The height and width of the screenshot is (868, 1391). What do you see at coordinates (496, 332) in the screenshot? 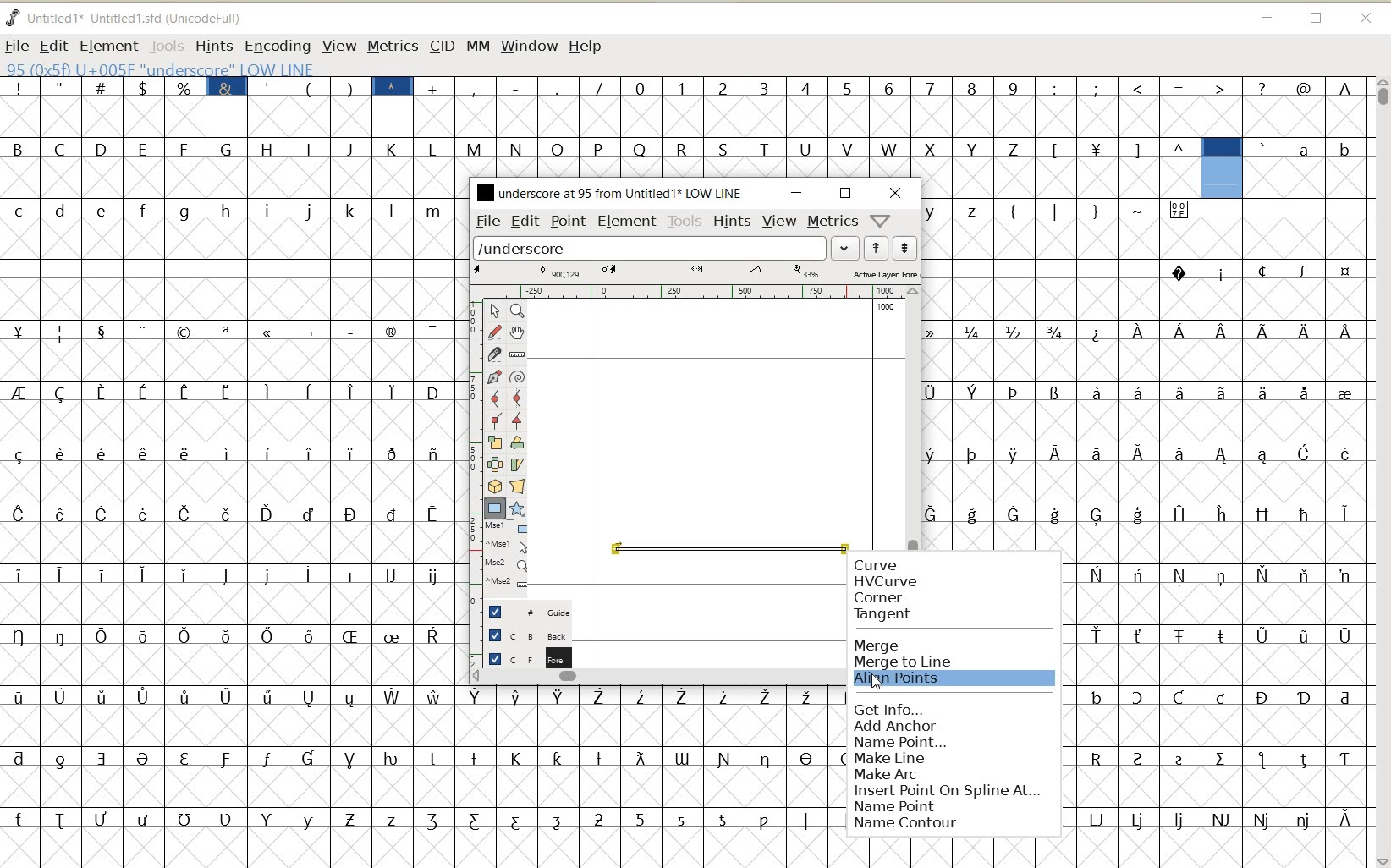
I see `draw a freehand curve` at bounding box center [496, 332].